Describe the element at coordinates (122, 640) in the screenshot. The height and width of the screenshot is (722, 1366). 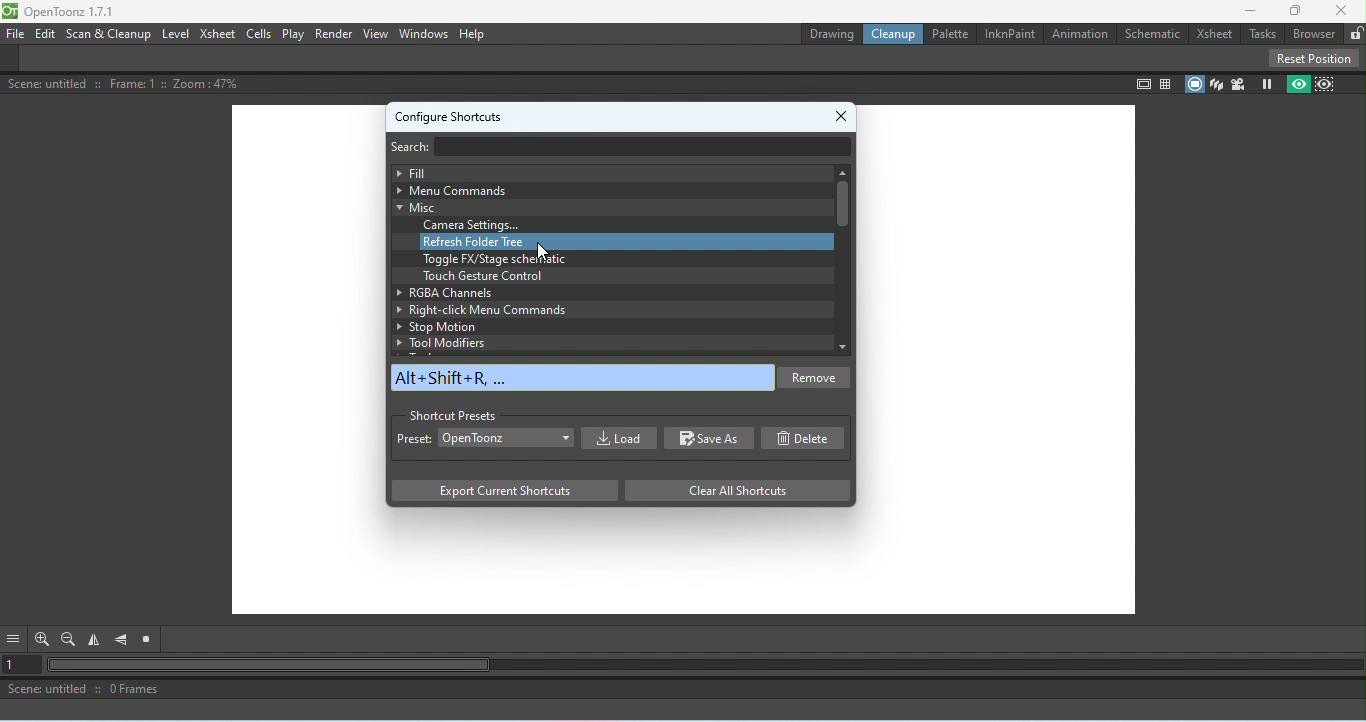
I see `Flip vertically` at that location.